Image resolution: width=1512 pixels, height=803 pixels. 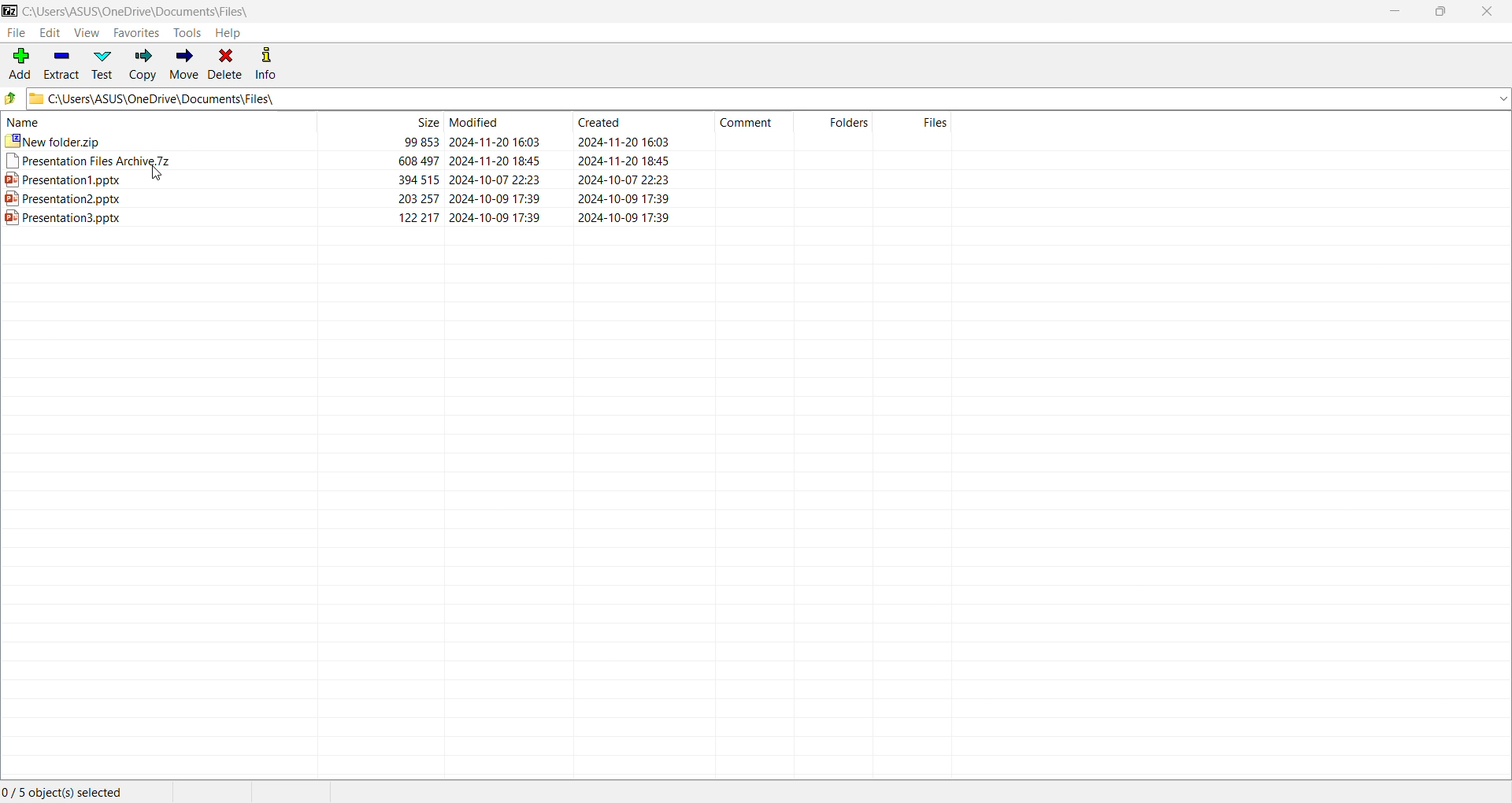 I want to click on View, so click(x=87, y=33).